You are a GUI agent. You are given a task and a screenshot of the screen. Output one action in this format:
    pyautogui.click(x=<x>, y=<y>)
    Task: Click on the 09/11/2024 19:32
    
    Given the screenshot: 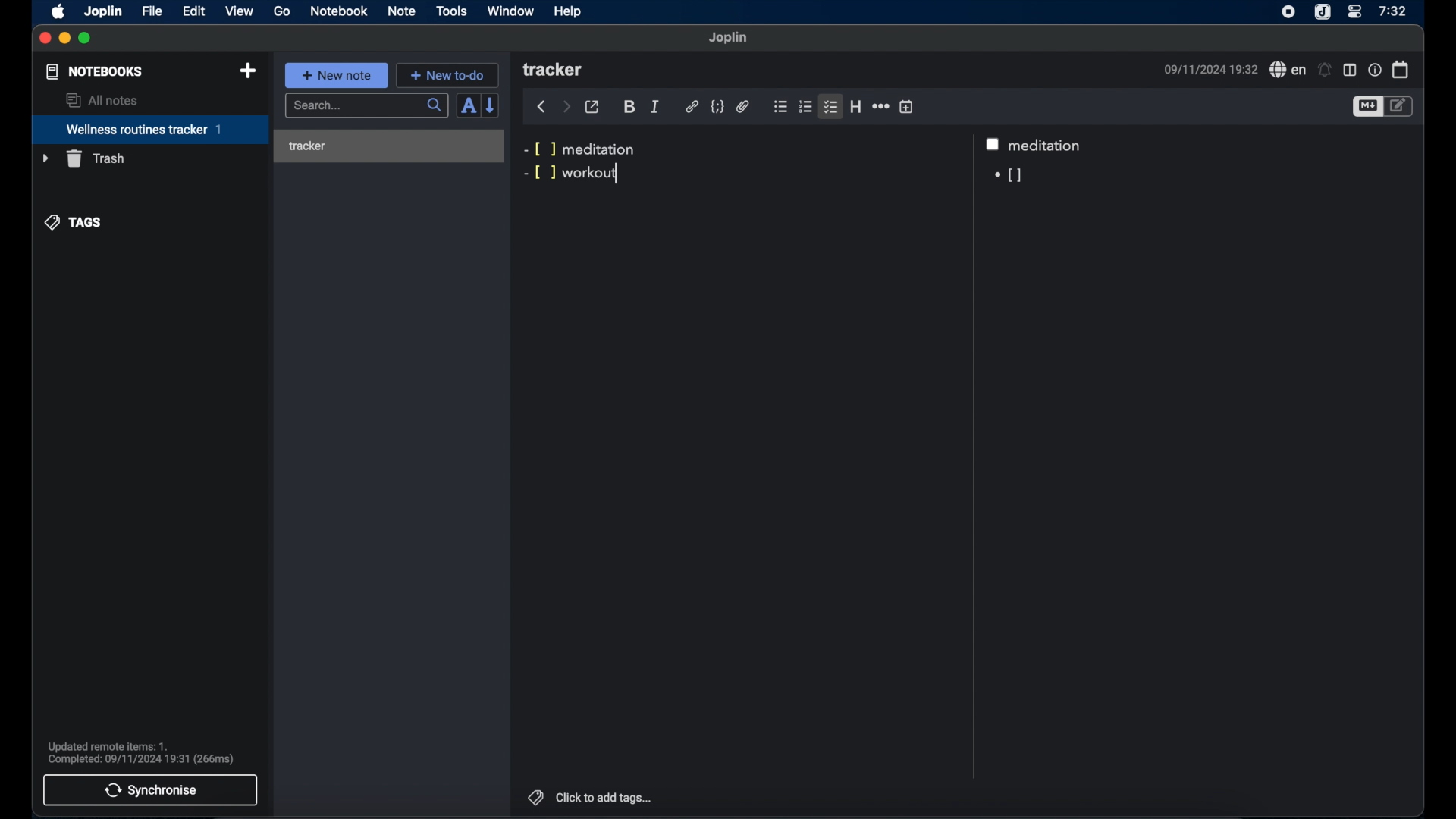 What is the action you would take?
    pyautogui.click(x=1208, y=69)
    